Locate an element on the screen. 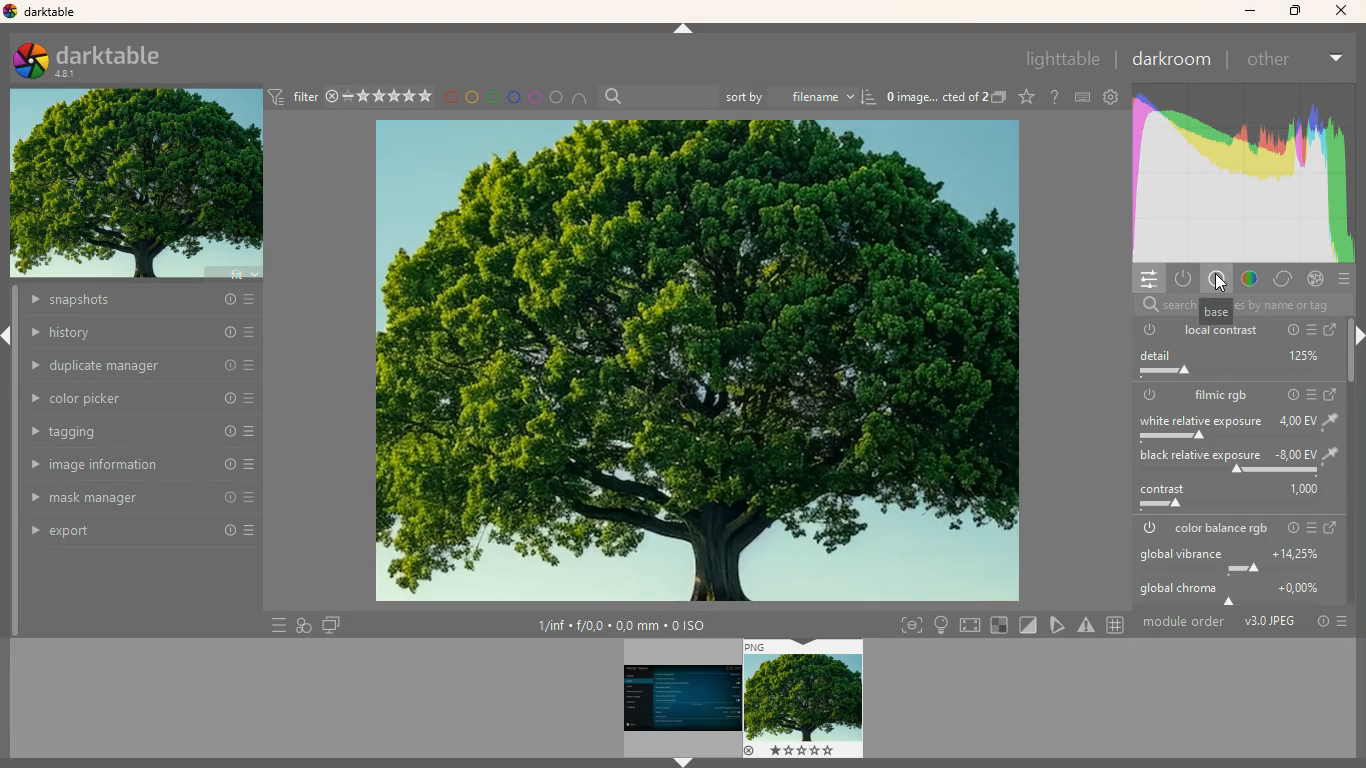 This screenshot has height=768, width=1366. screen is located at coordinates (972, 626).